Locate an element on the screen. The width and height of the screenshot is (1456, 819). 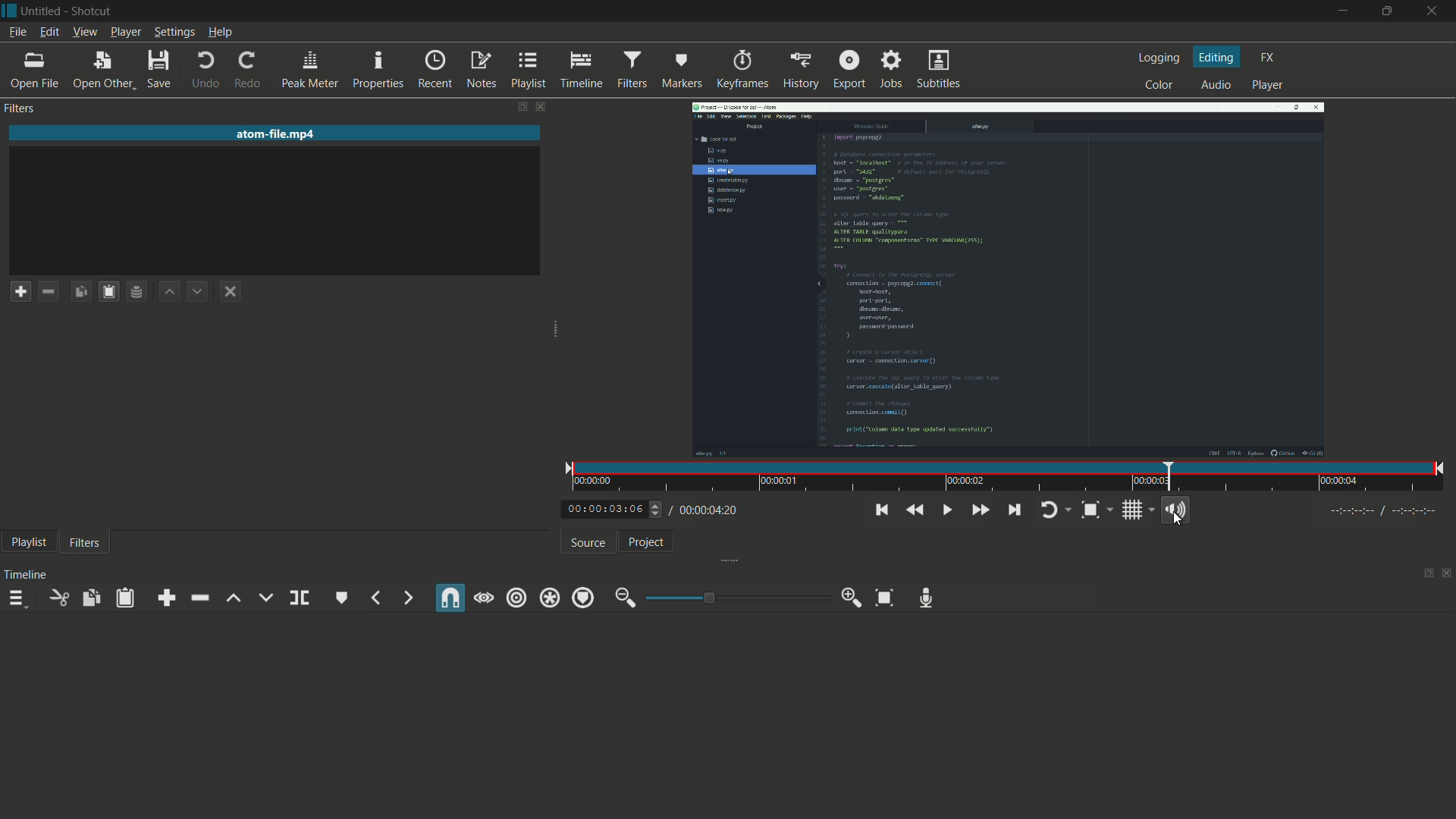
audio is located at coordinates (1213, 84).